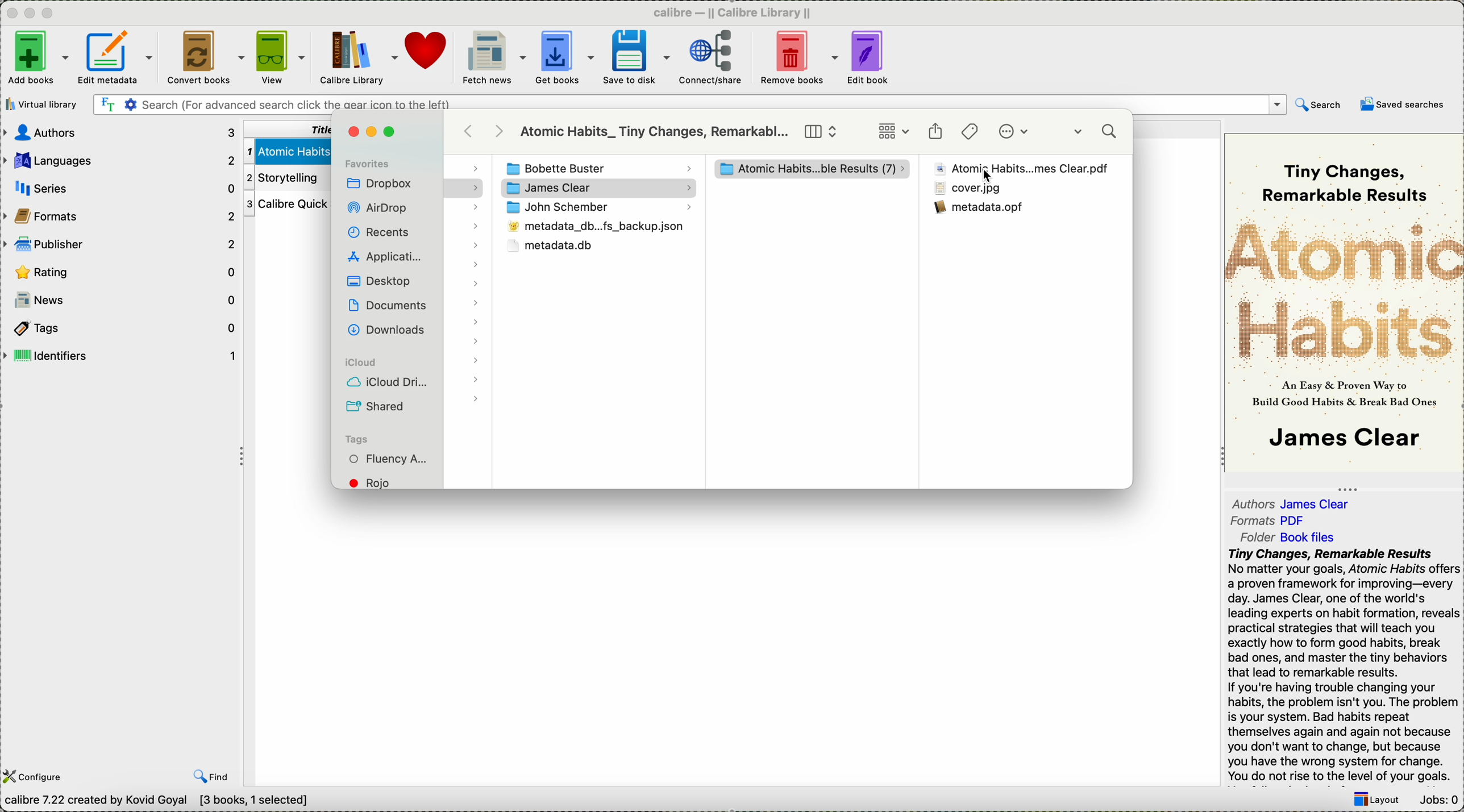  Describe the element at coordinates (32, 14) in the screenshot. I see `disable buttons program` at that location.